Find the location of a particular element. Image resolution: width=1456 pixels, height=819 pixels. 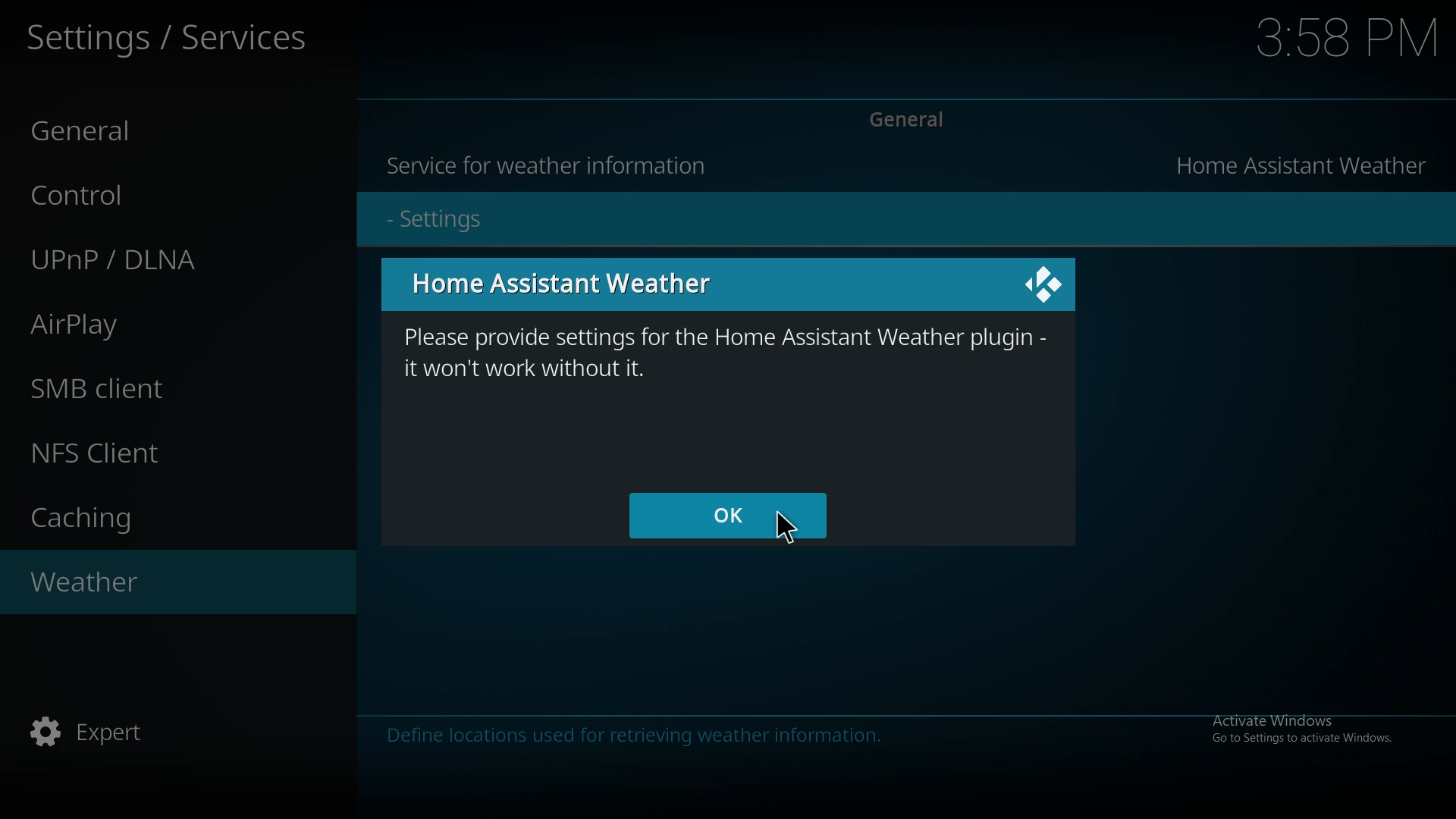

ok is located at coordinates (699, 516).